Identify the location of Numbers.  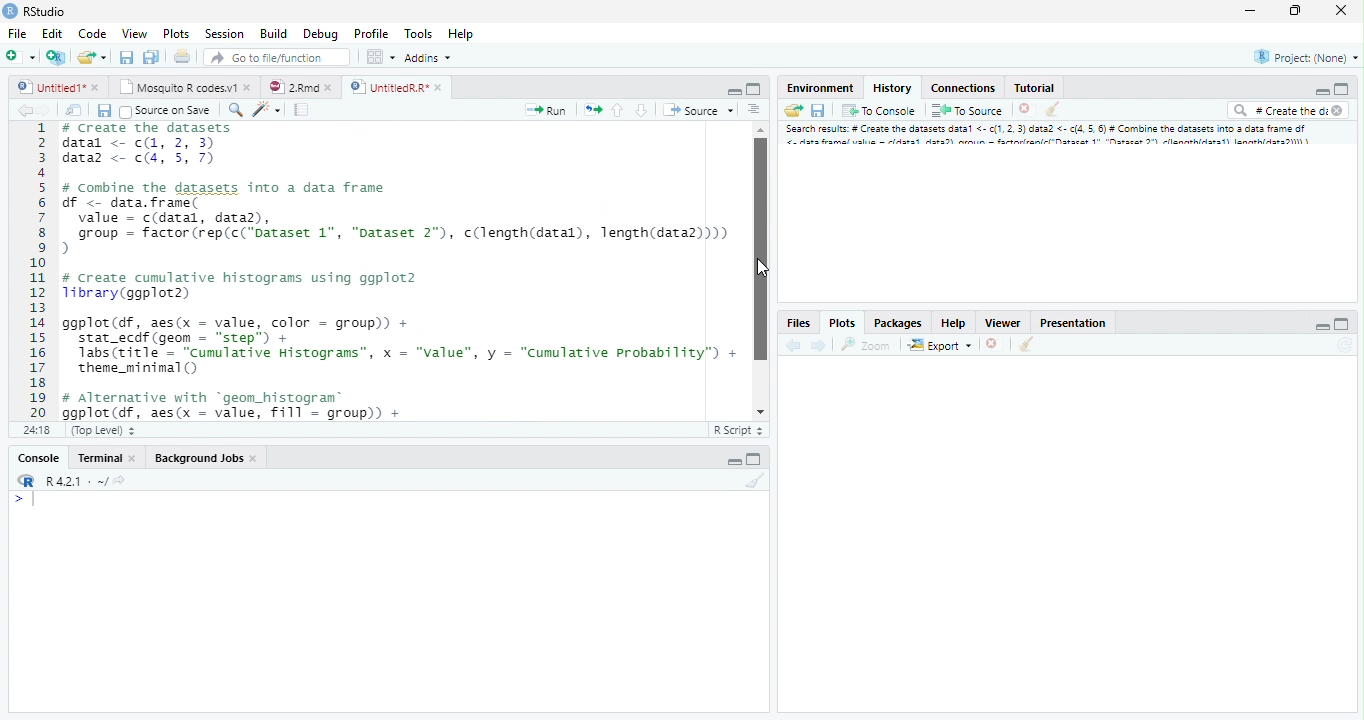
(40, 269).